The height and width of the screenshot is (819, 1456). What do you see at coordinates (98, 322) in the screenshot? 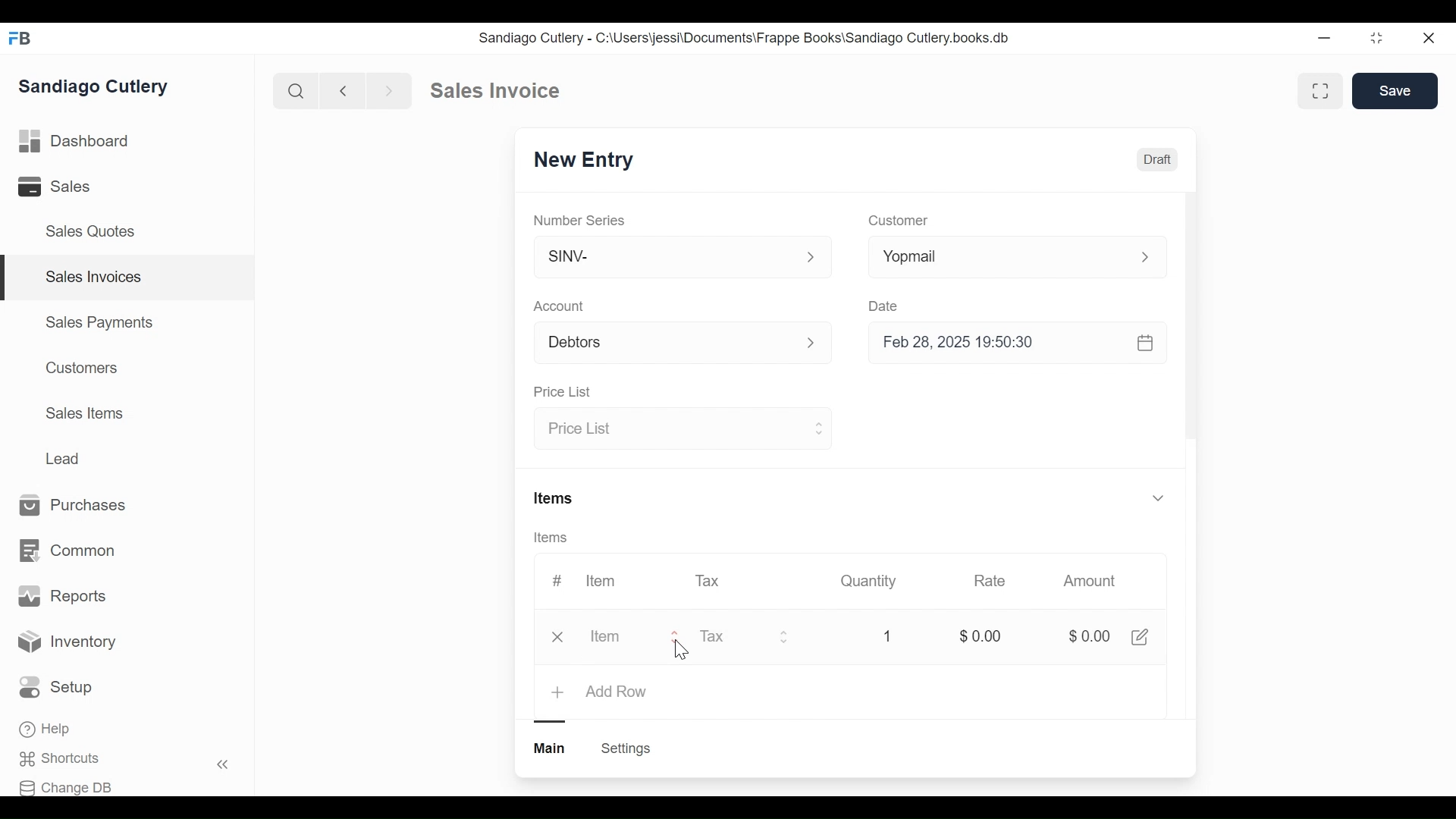
I see `Sales Payments` at bounding box center [98, 322].